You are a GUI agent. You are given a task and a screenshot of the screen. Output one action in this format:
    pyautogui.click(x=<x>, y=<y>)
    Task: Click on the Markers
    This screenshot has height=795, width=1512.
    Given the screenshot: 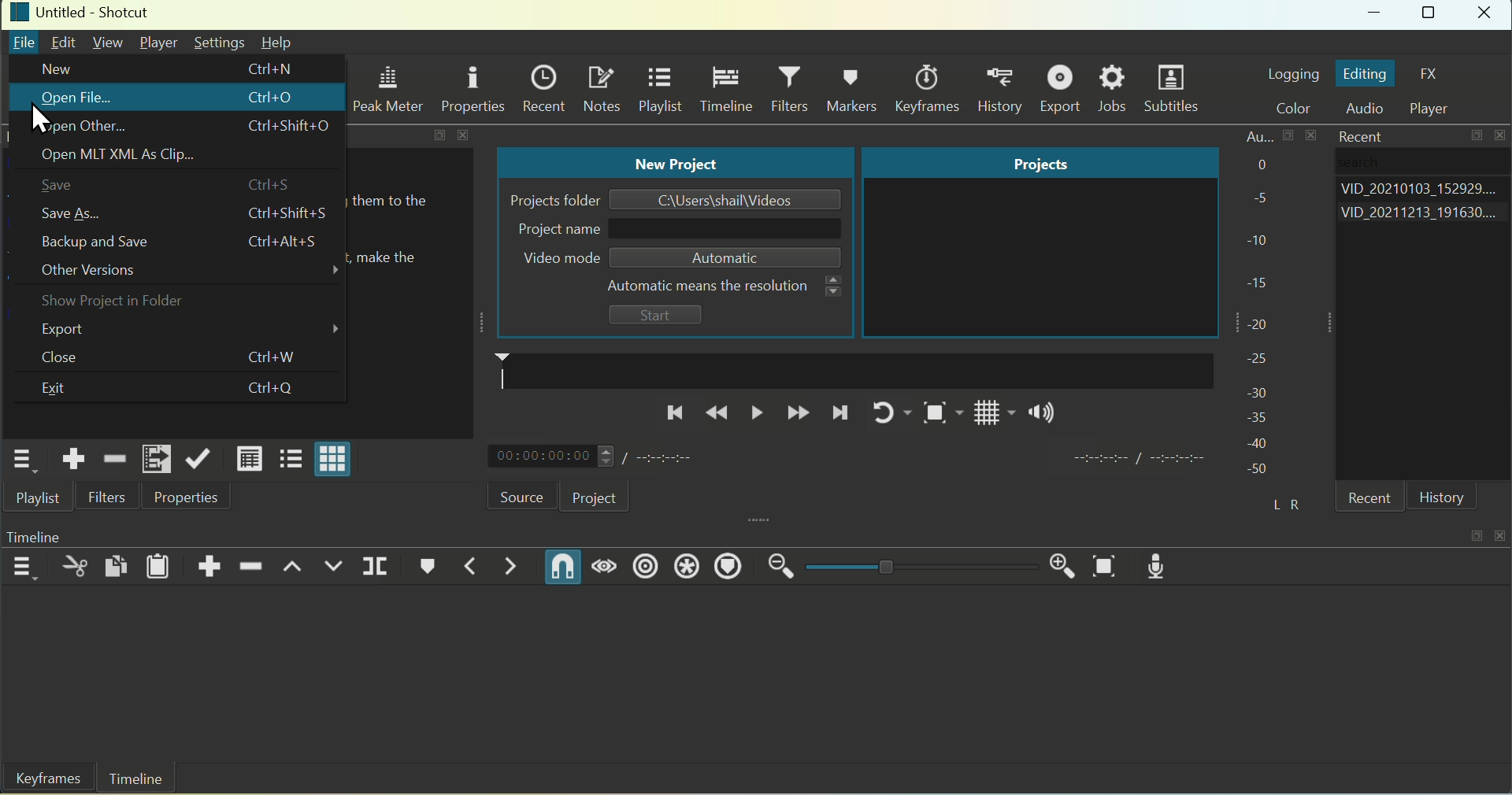 What is the action you would take?
    pyautogui.click(x=855, y=87)
    